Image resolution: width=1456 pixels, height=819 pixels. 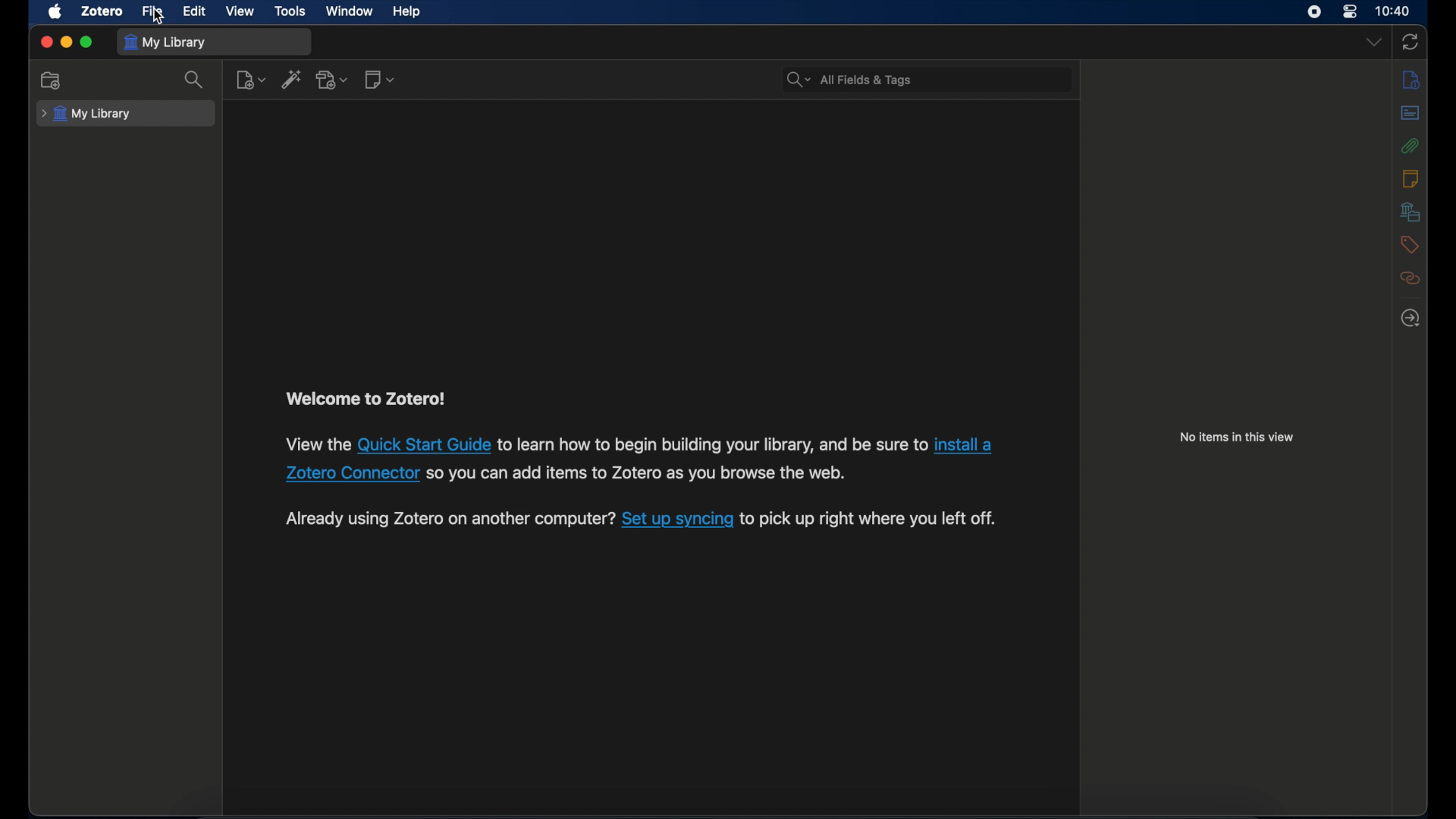 What do you see at coordinates (53, 80) in the screenshot?
I see `new collection` at bounding box center [53, 80].